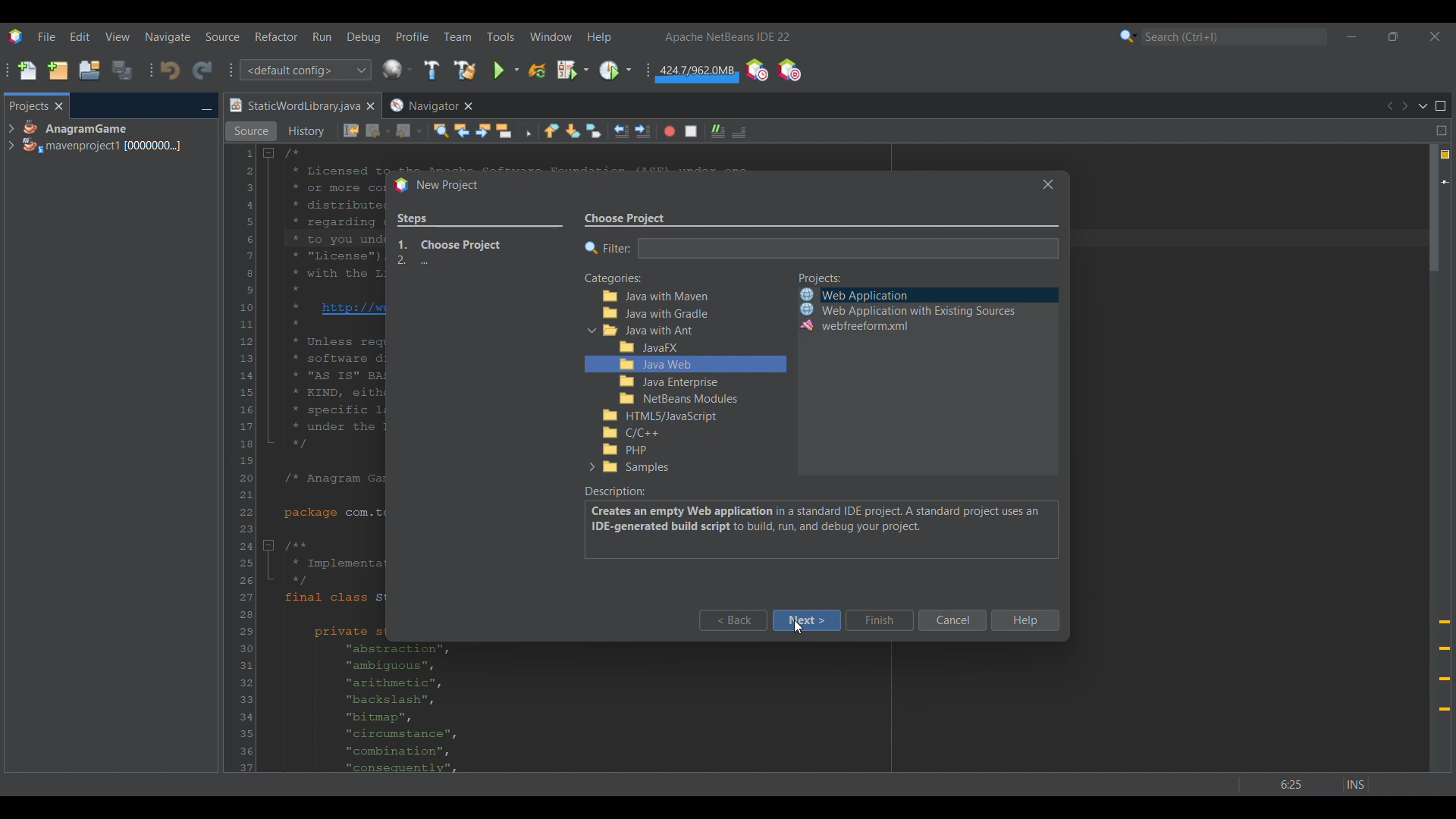  Describe the element at coordinates (168, 37) in the screenshot. I see `Naviagate menu` at that location.